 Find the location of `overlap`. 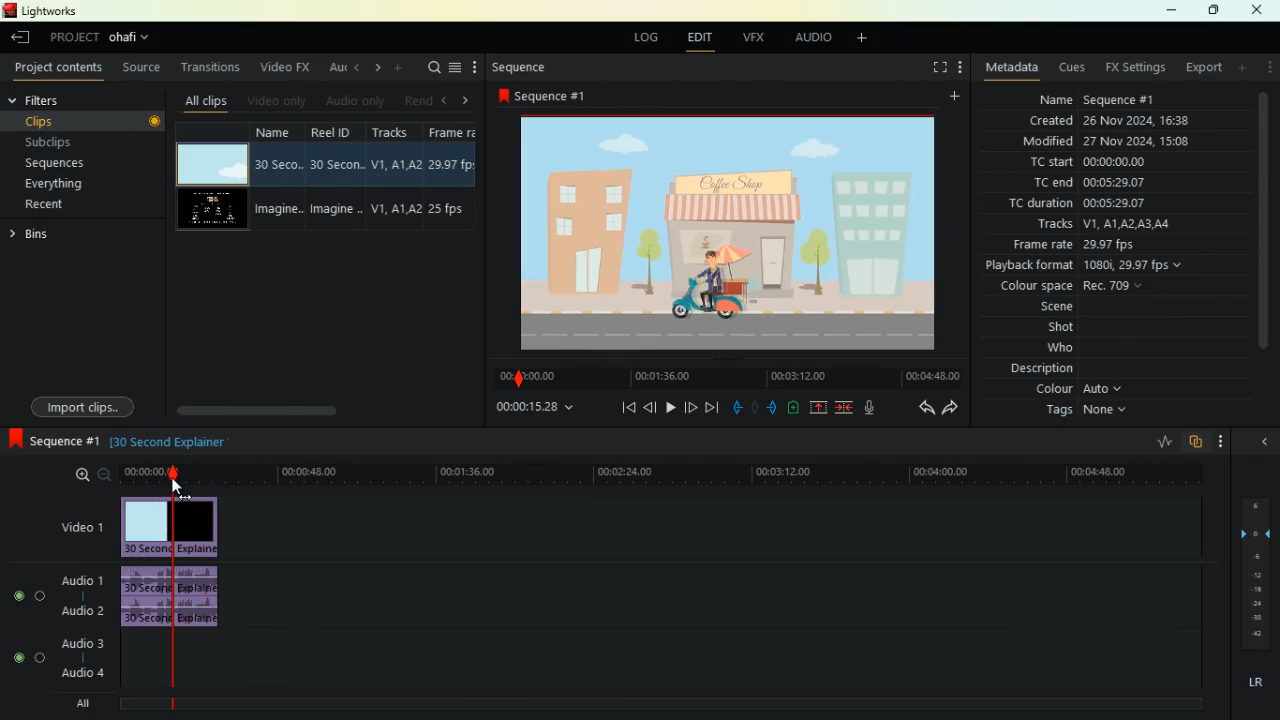

overlap is located at coordinates (1196, 441).